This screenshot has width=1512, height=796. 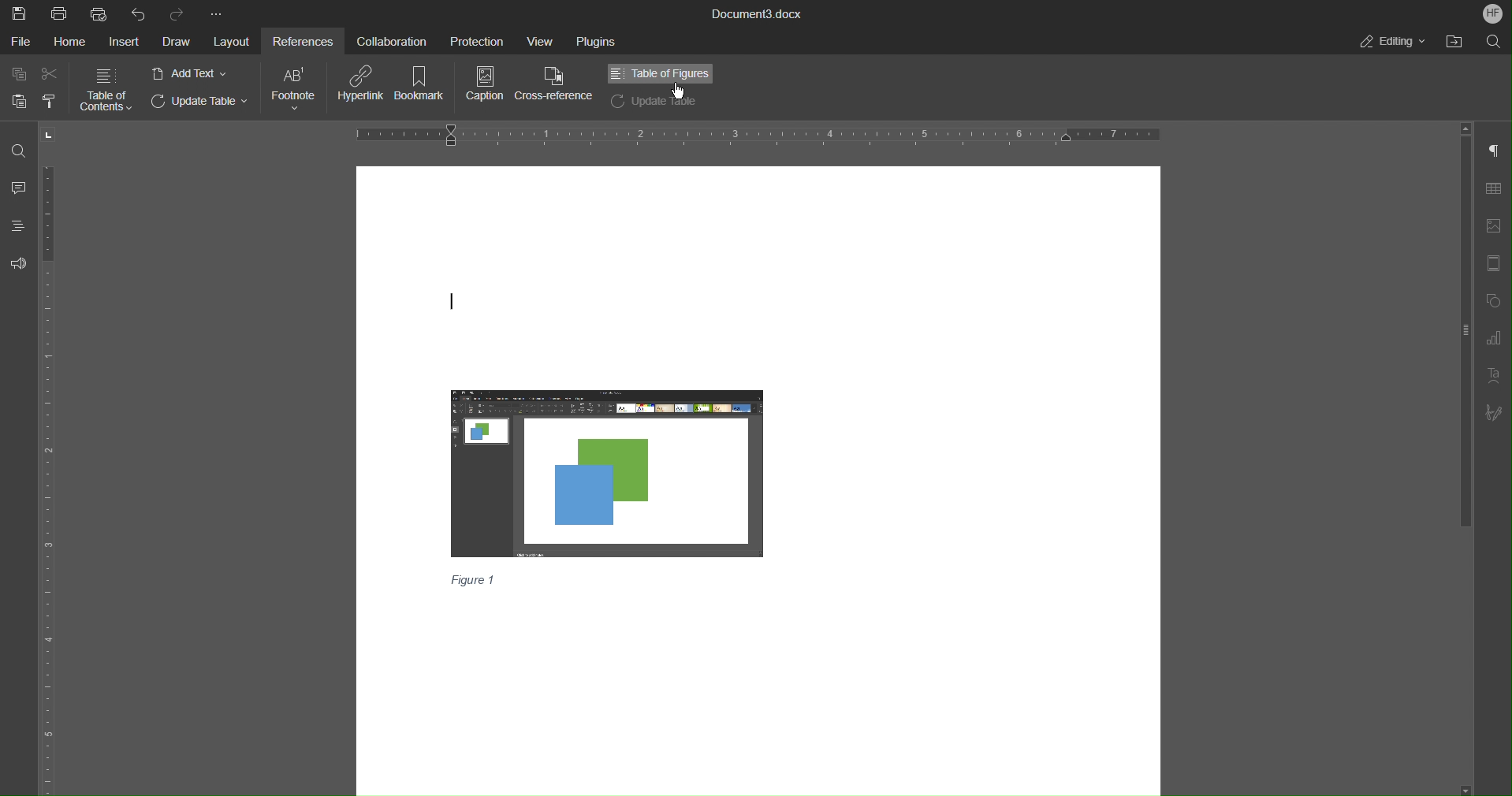 What do you see at coordinates (470, 39) in the screenshot?
I see `Protection` at bounding box center [470, 39].